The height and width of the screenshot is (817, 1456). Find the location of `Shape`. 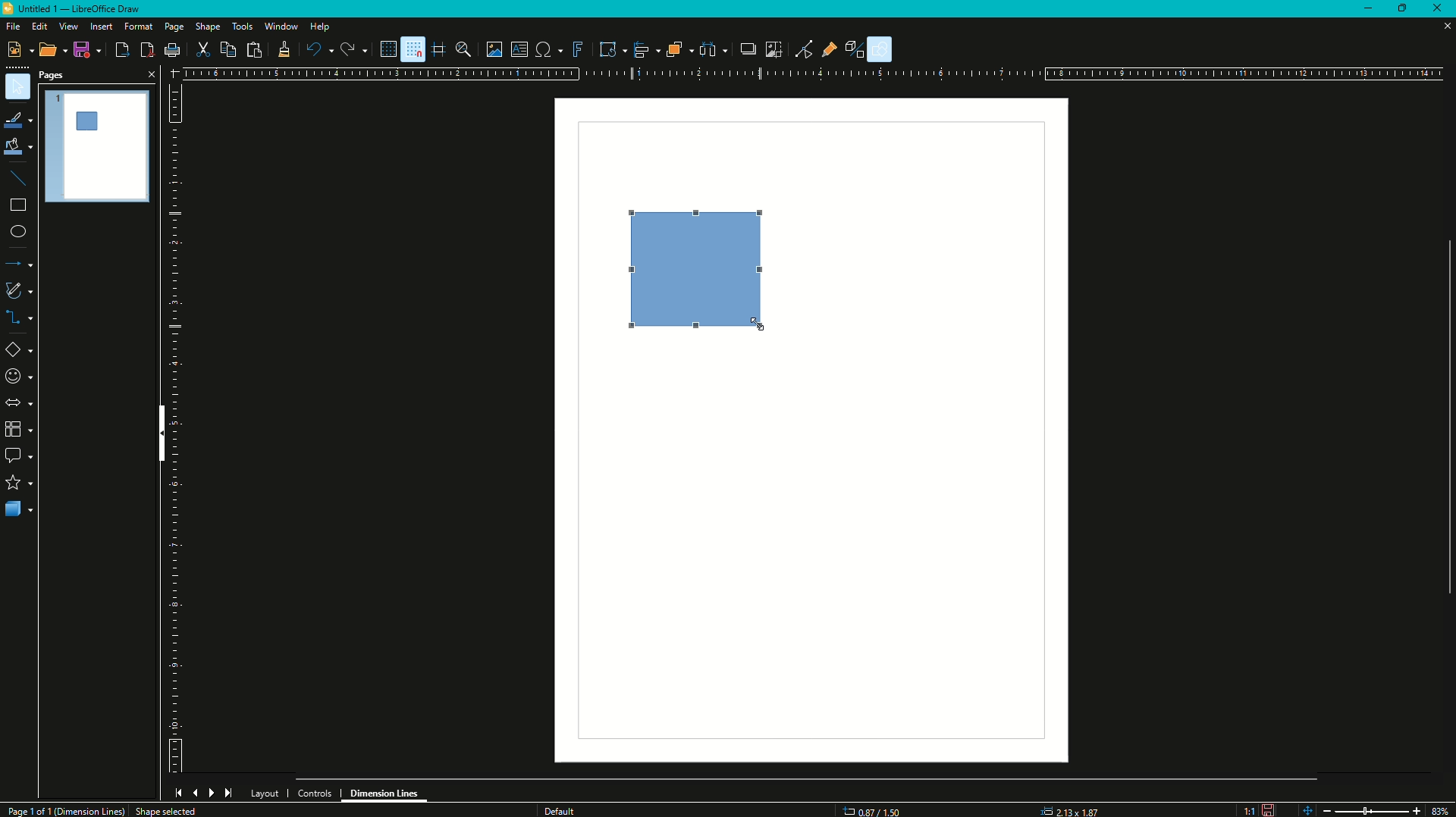

Shape is located at coordinates (208, 28).